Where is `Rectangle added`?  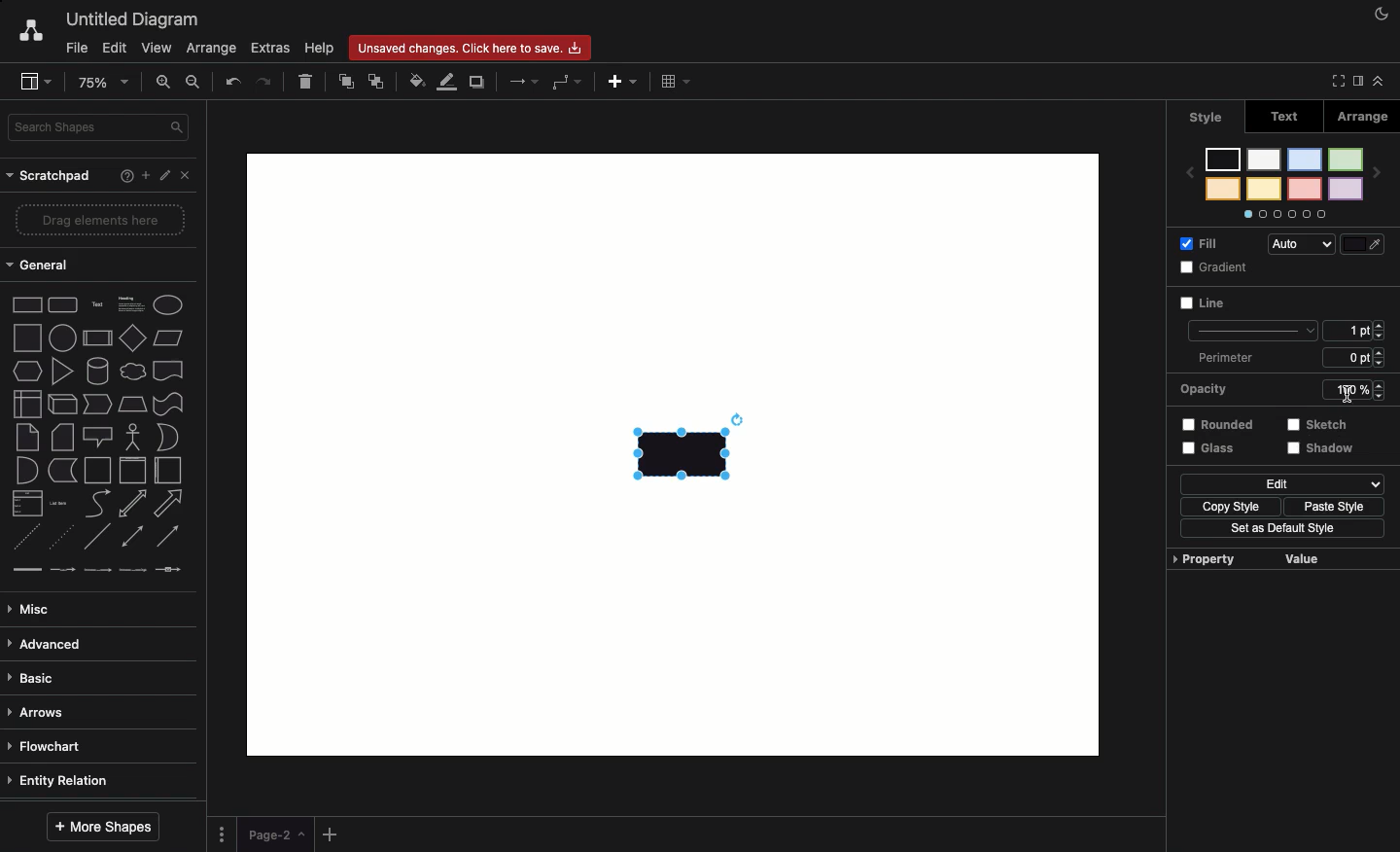
Rectangle added is located at coordinates (685, 451).